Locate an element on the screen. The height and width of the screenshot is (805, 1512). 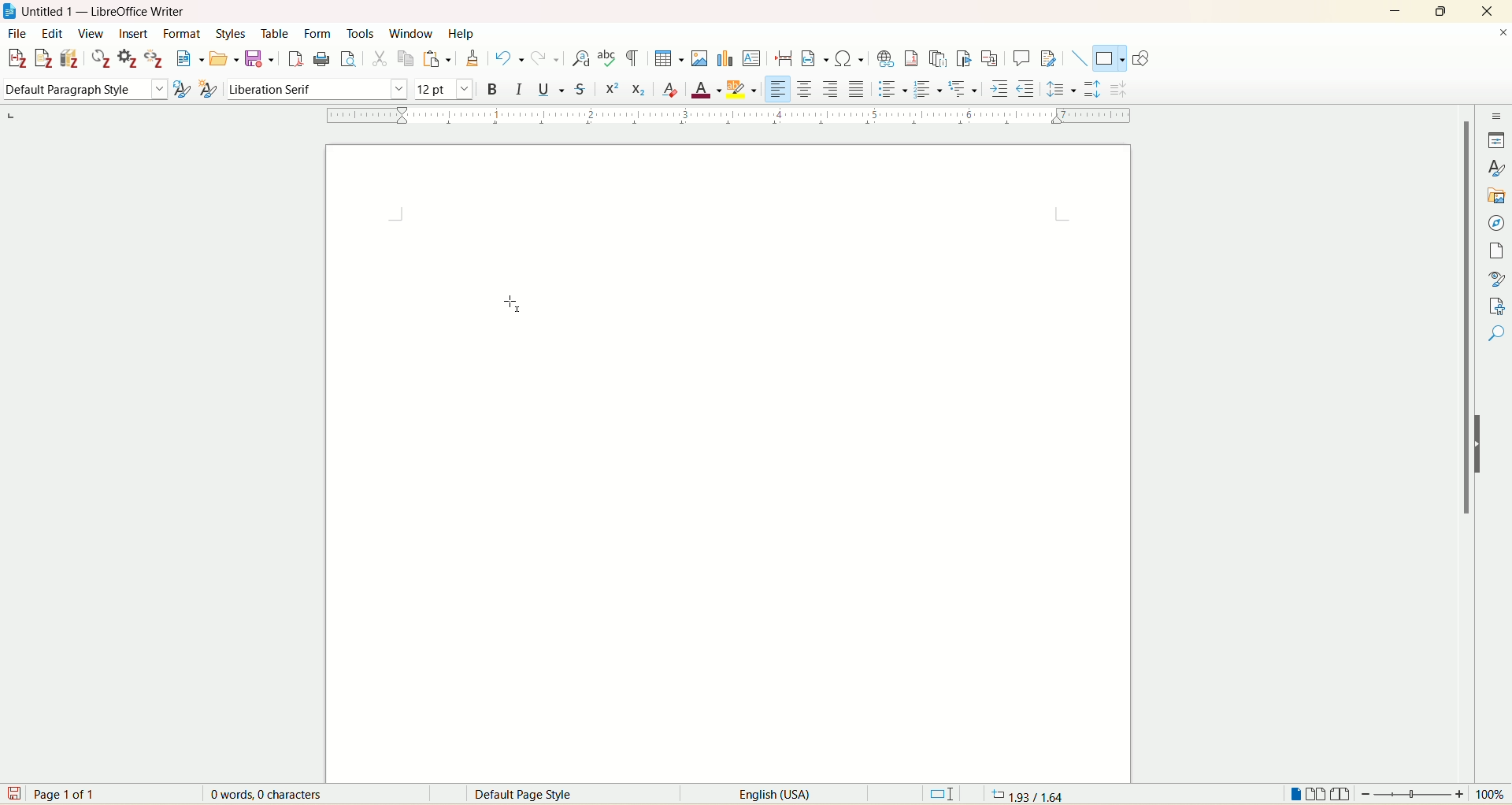
font size is located at coordinates (444, 87).